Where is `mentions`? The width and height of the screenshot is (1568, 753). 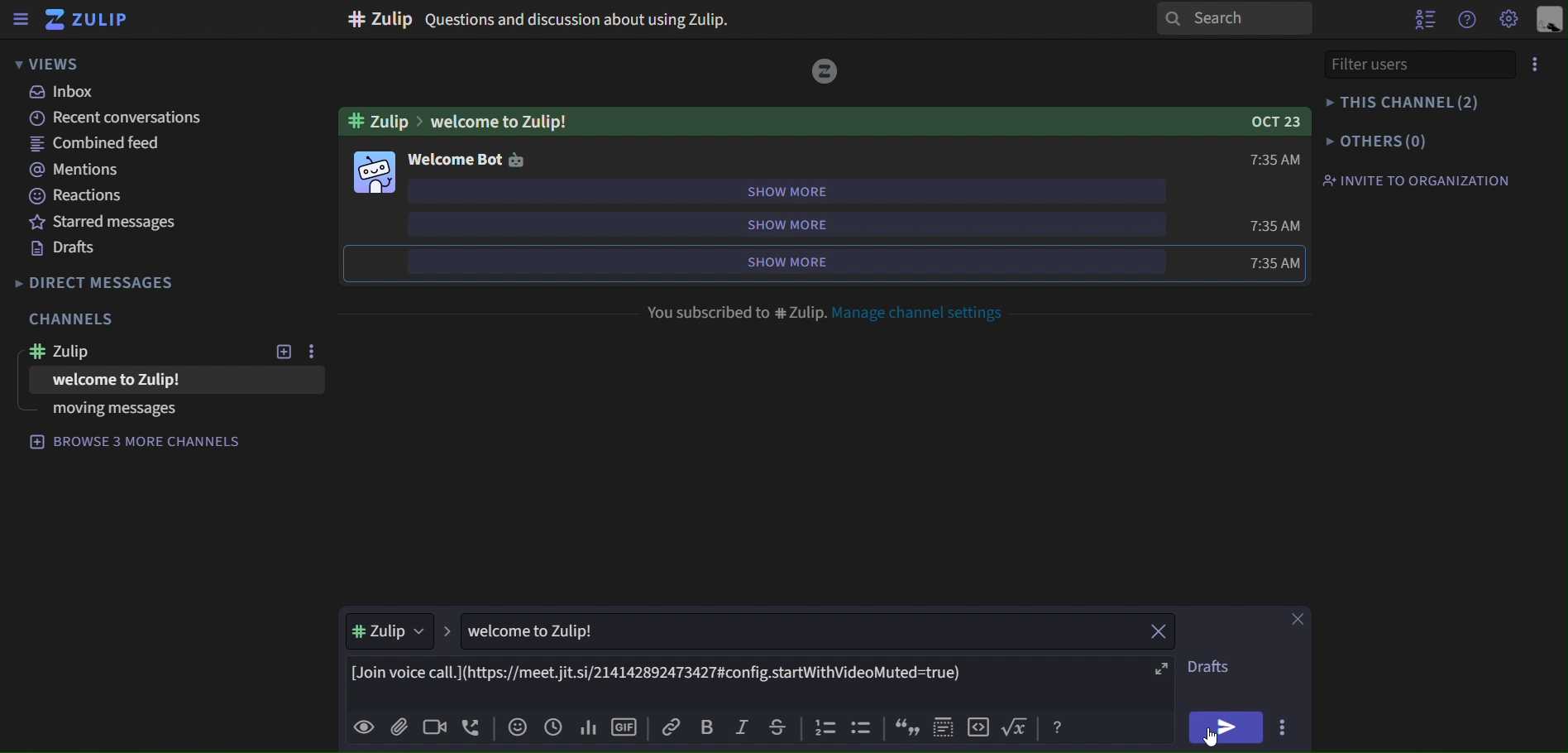 mentions is located at coordinates (86, 171).